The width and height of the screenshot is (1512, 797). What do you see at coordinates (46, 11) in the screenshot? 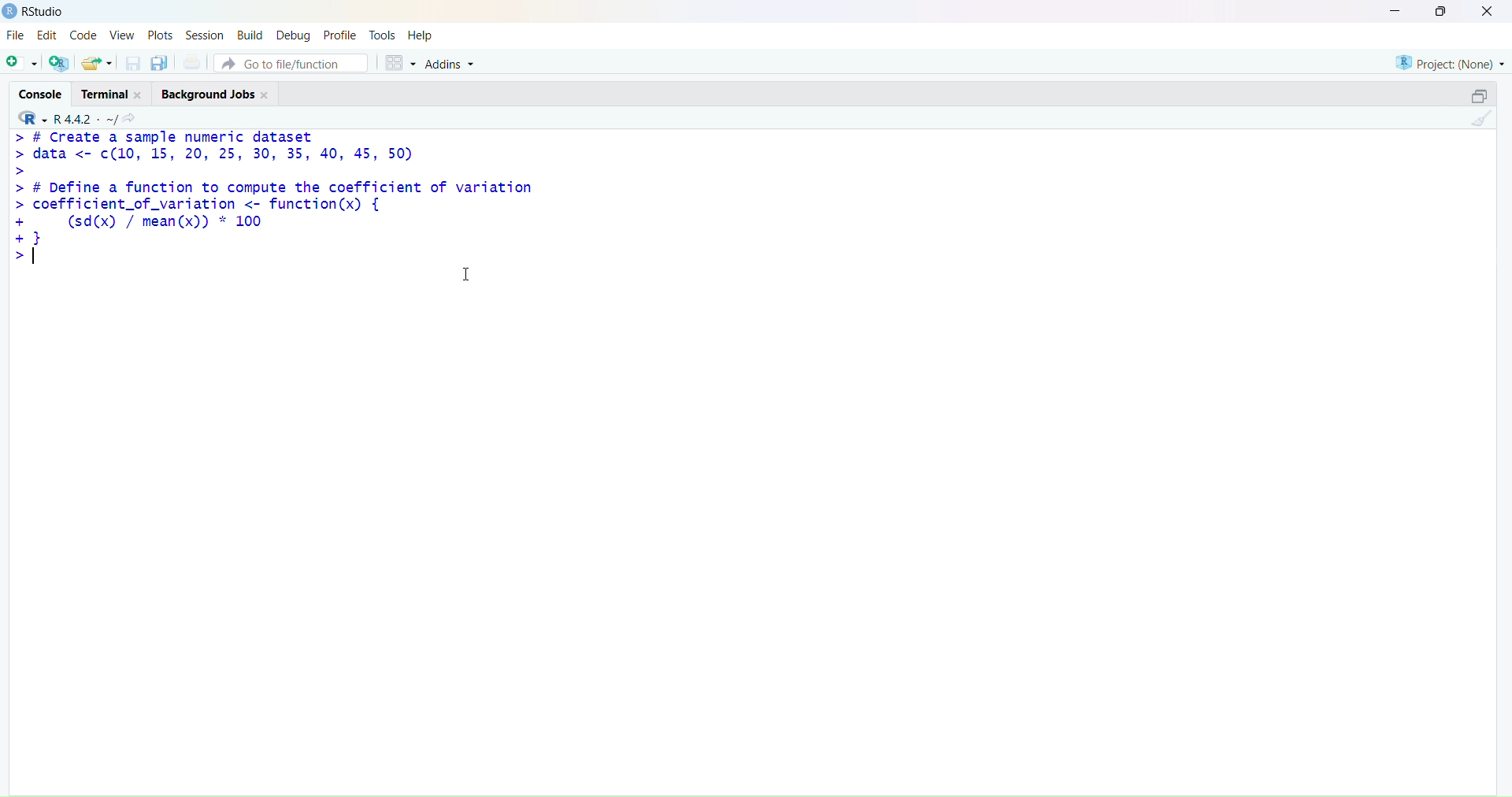
I see `RStudio` at bounding box center [46, 11].